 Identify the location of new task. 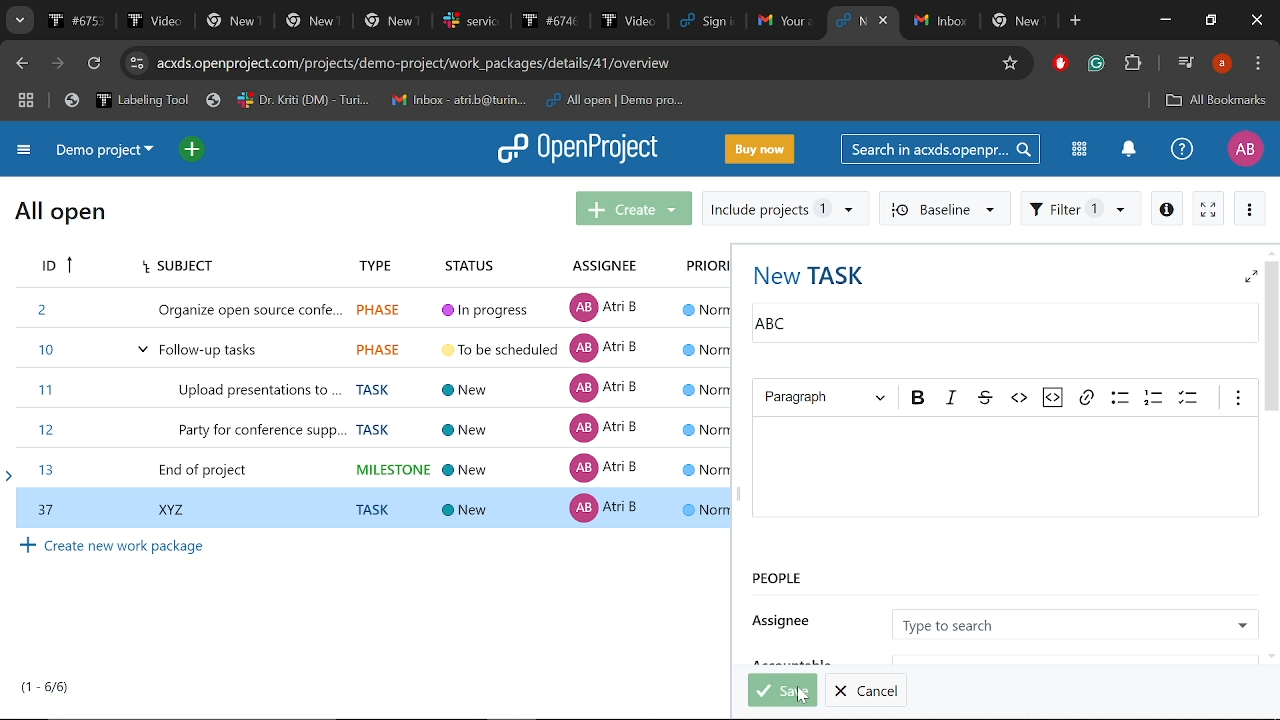
(810, 273).